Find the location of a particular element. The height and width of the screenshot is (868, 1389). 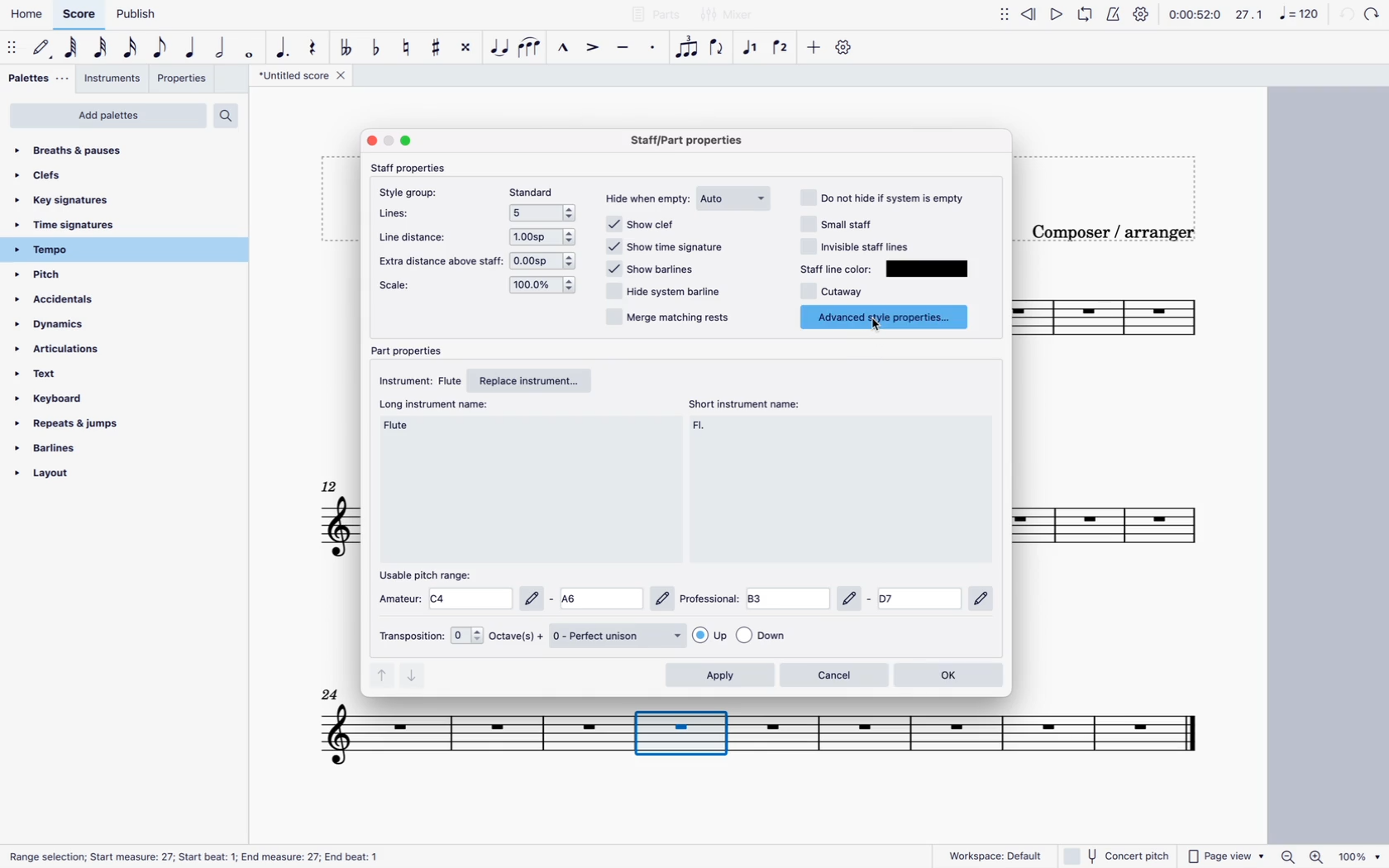

back is located at coordinates (1345, 15).